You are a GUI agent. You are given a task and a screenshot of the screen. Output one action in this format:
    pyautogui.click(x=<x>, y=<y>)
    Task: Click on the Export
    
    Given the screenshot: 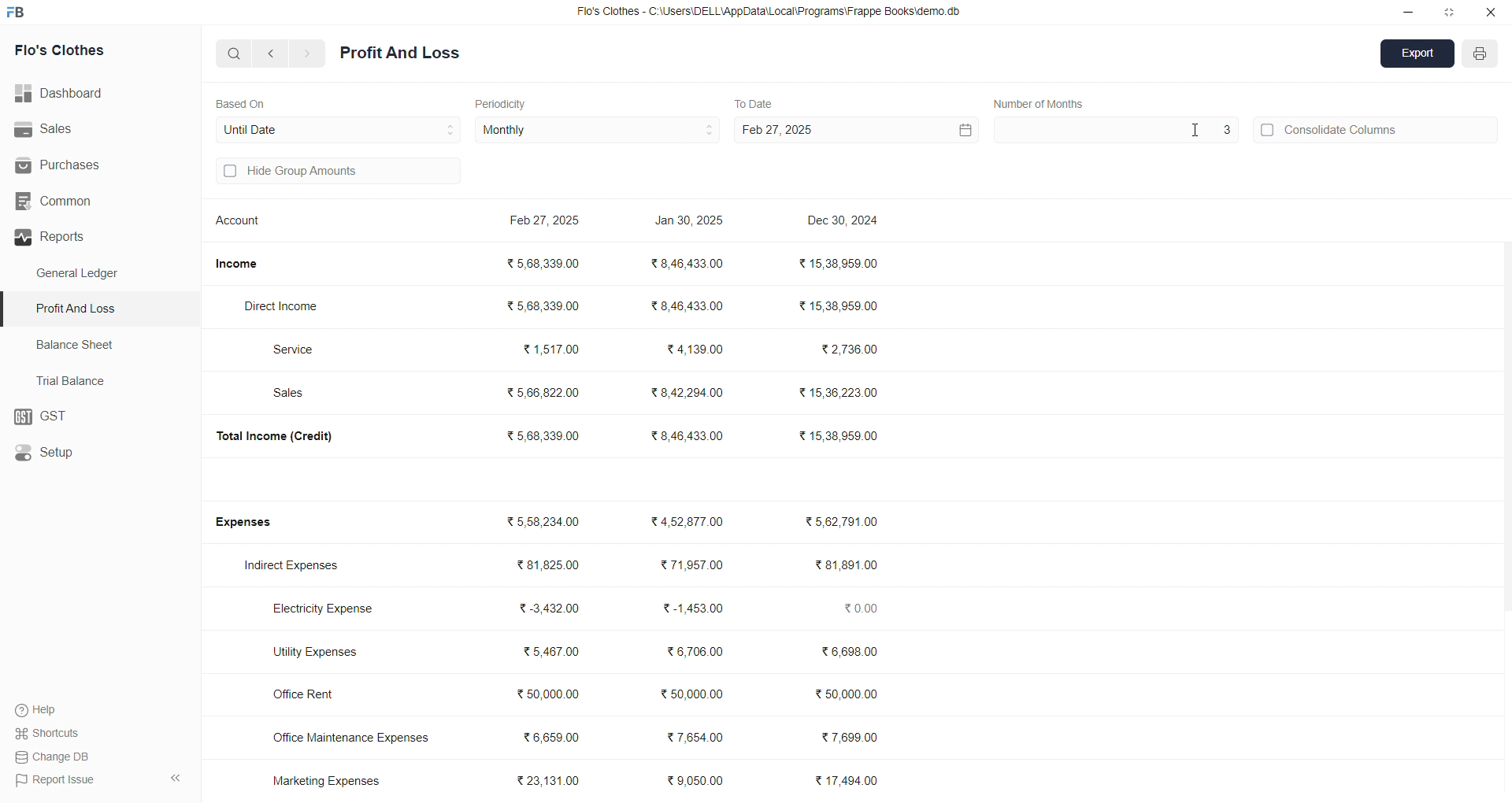 What is the action you would take?
    pyautogui.click(x=1418, y=55)
    